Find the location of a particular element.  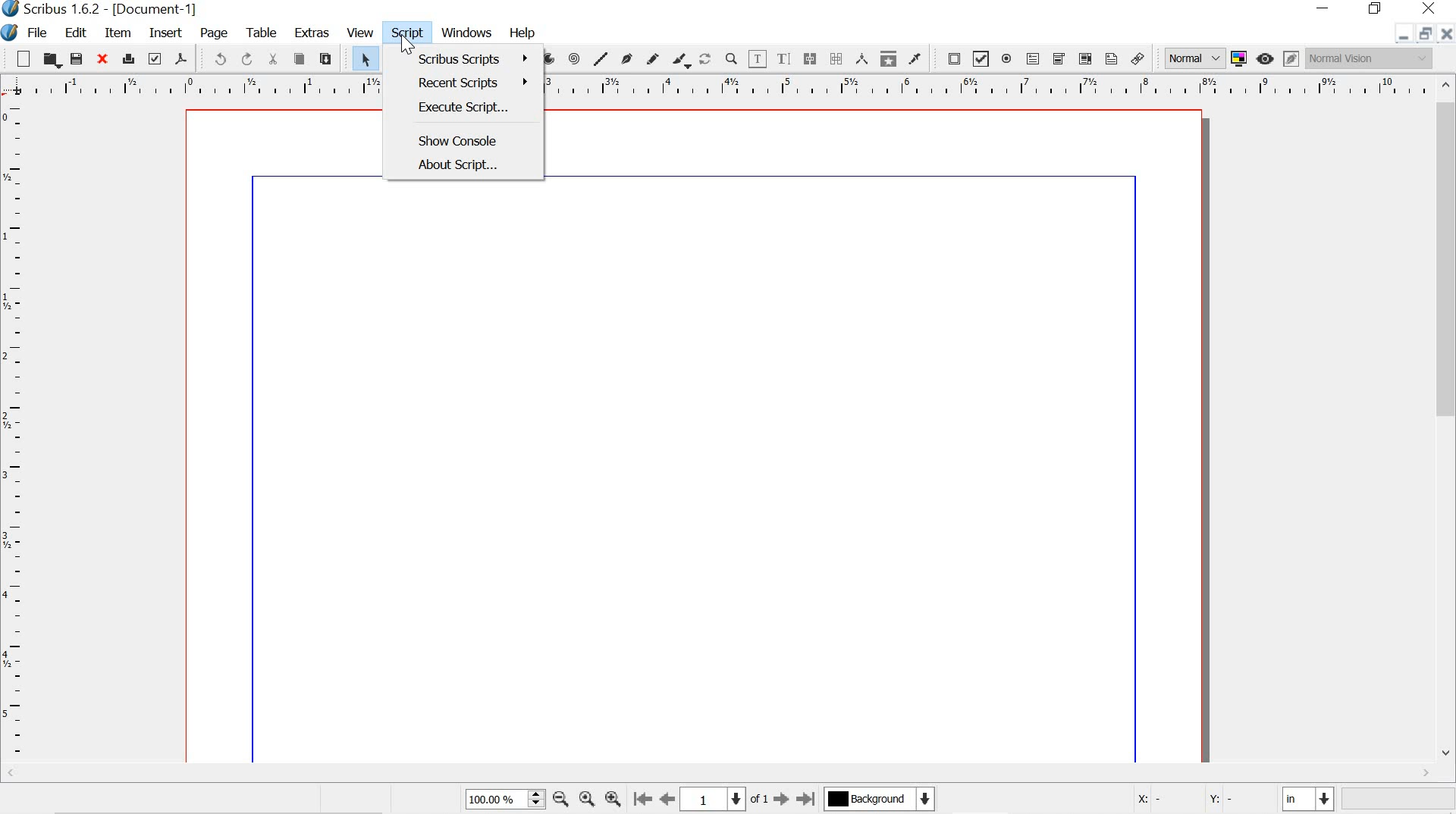

file is located at coordinates (39, 34).